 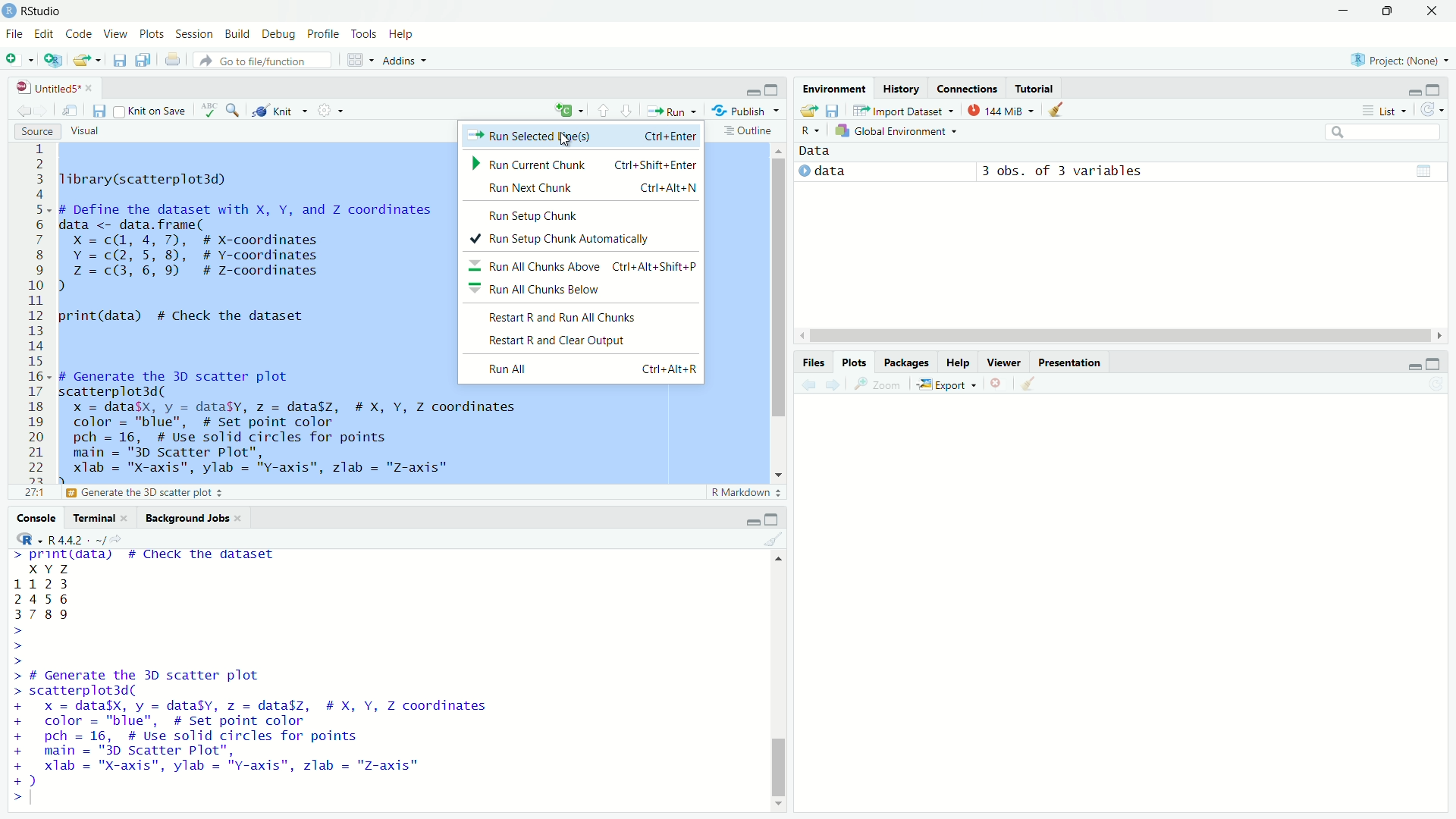 What do you see at coordinates (780, 682) in the screenshot?
I see `scrollbar` at bounding box center [780, 682].